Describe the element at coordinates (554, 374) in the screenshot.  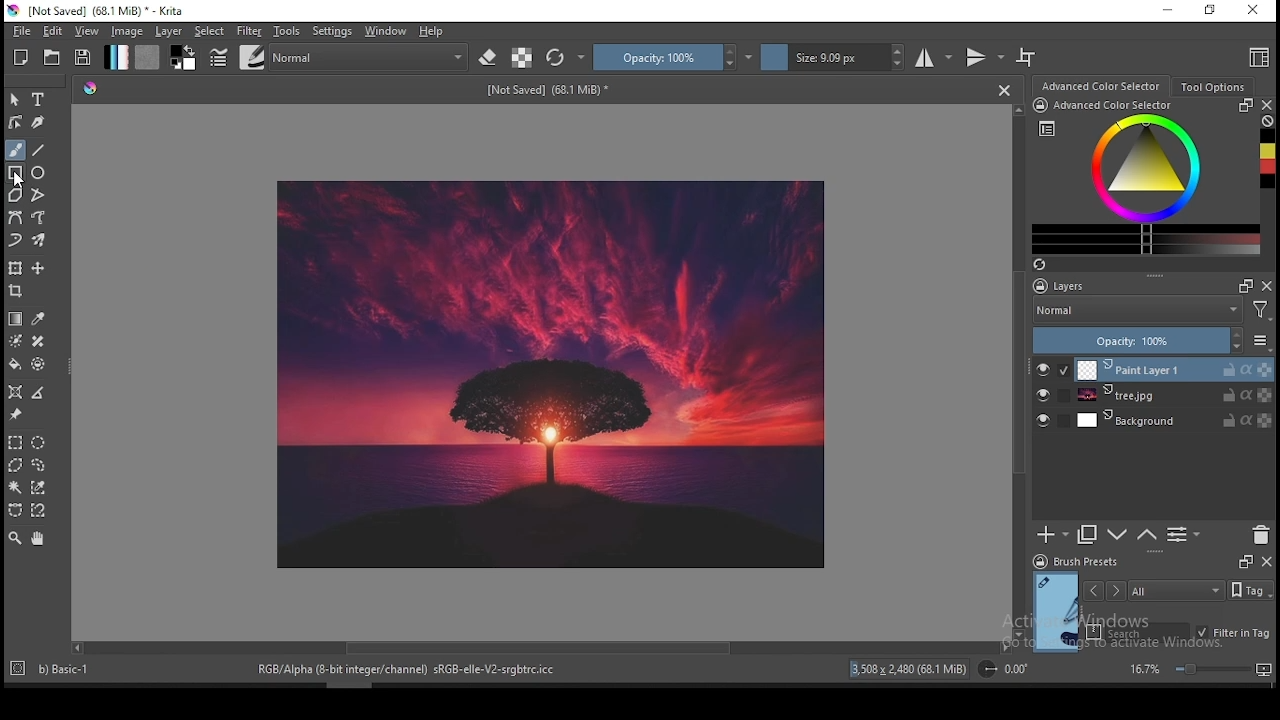
I see `Image` at that location.